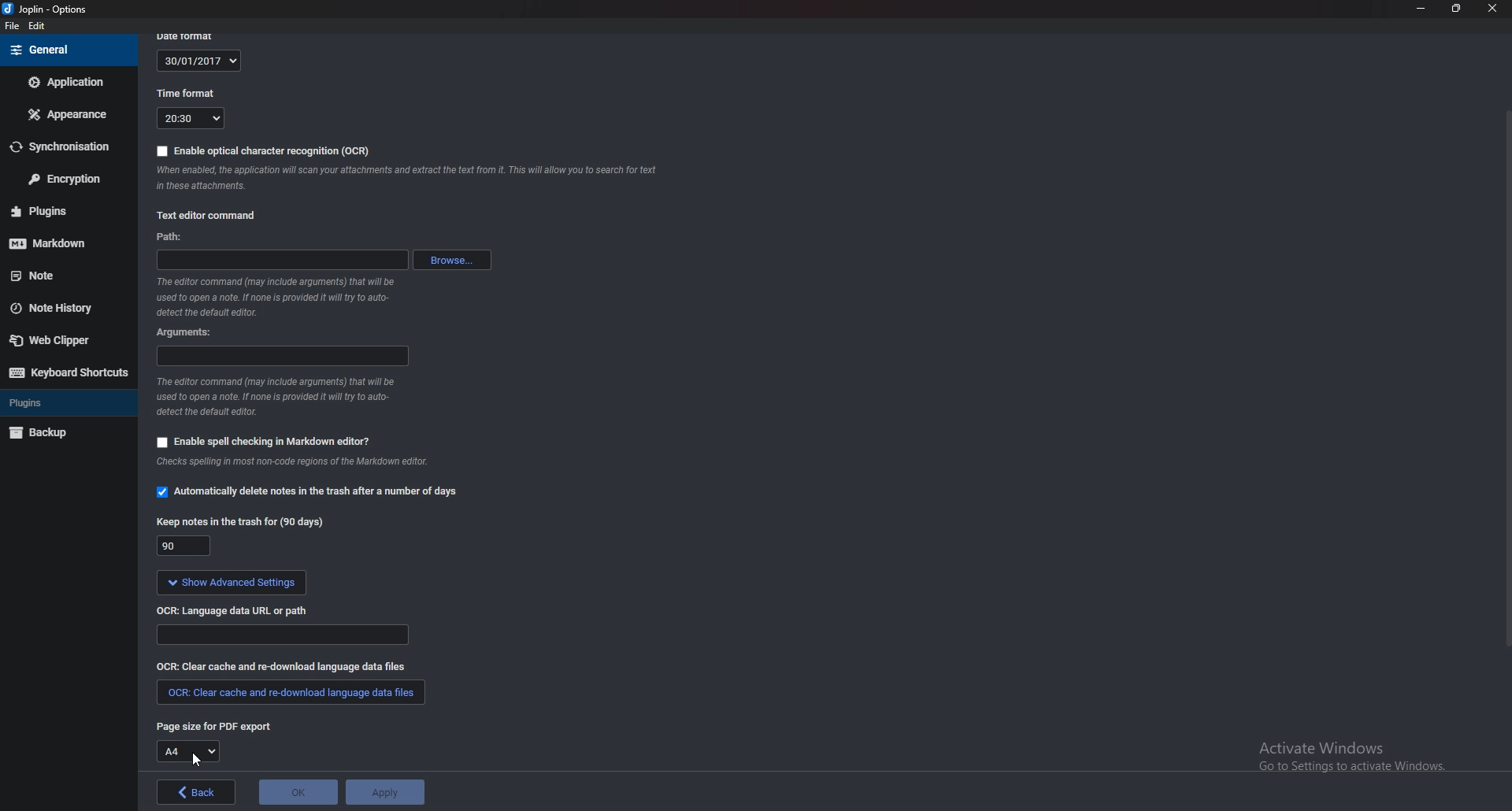  Describe the element at coordinates (62, 432) in the screenshot. I see `Back up` at that location.